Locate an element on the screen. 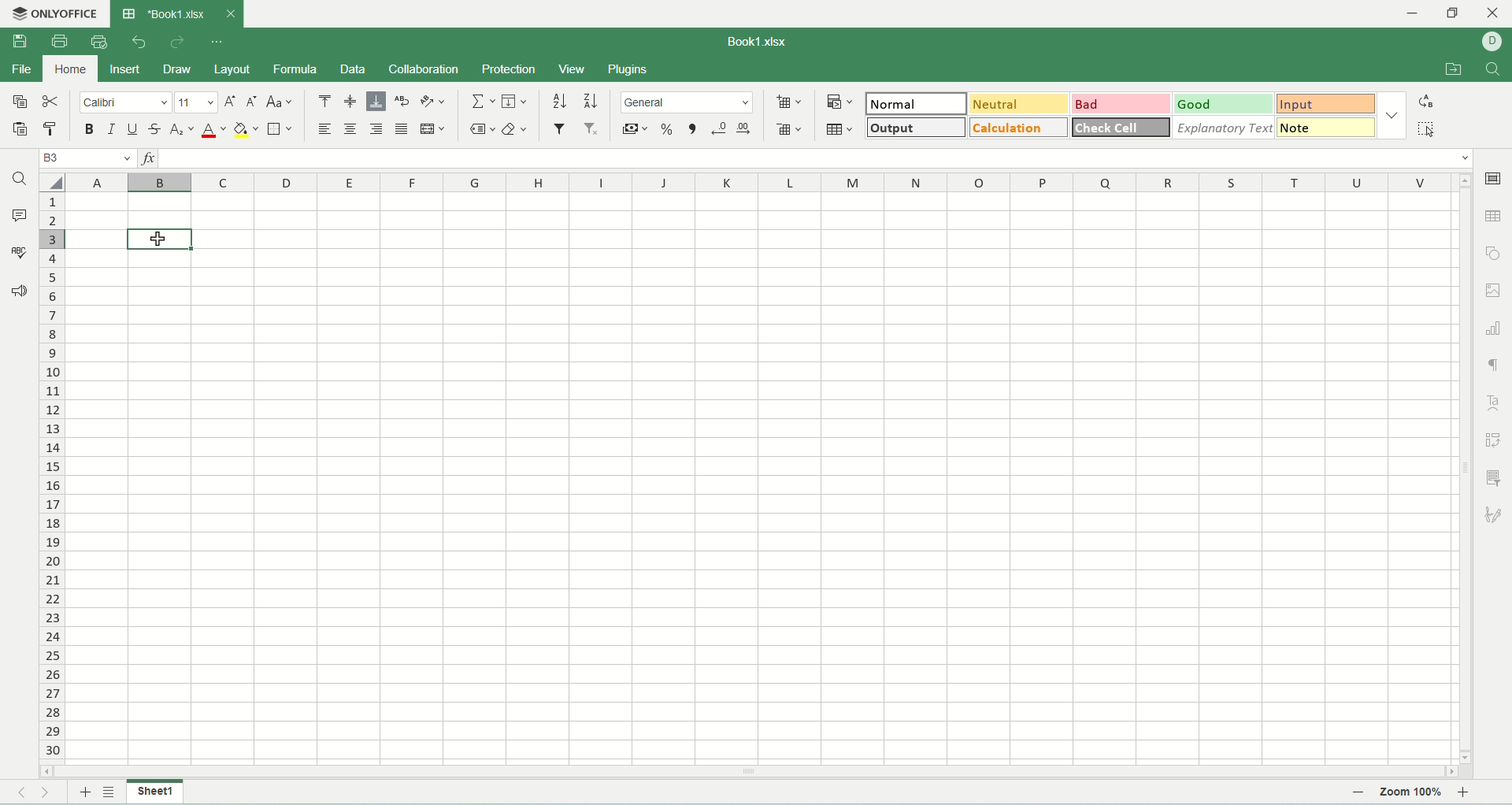  quick print is located at coordinates (100, 40).